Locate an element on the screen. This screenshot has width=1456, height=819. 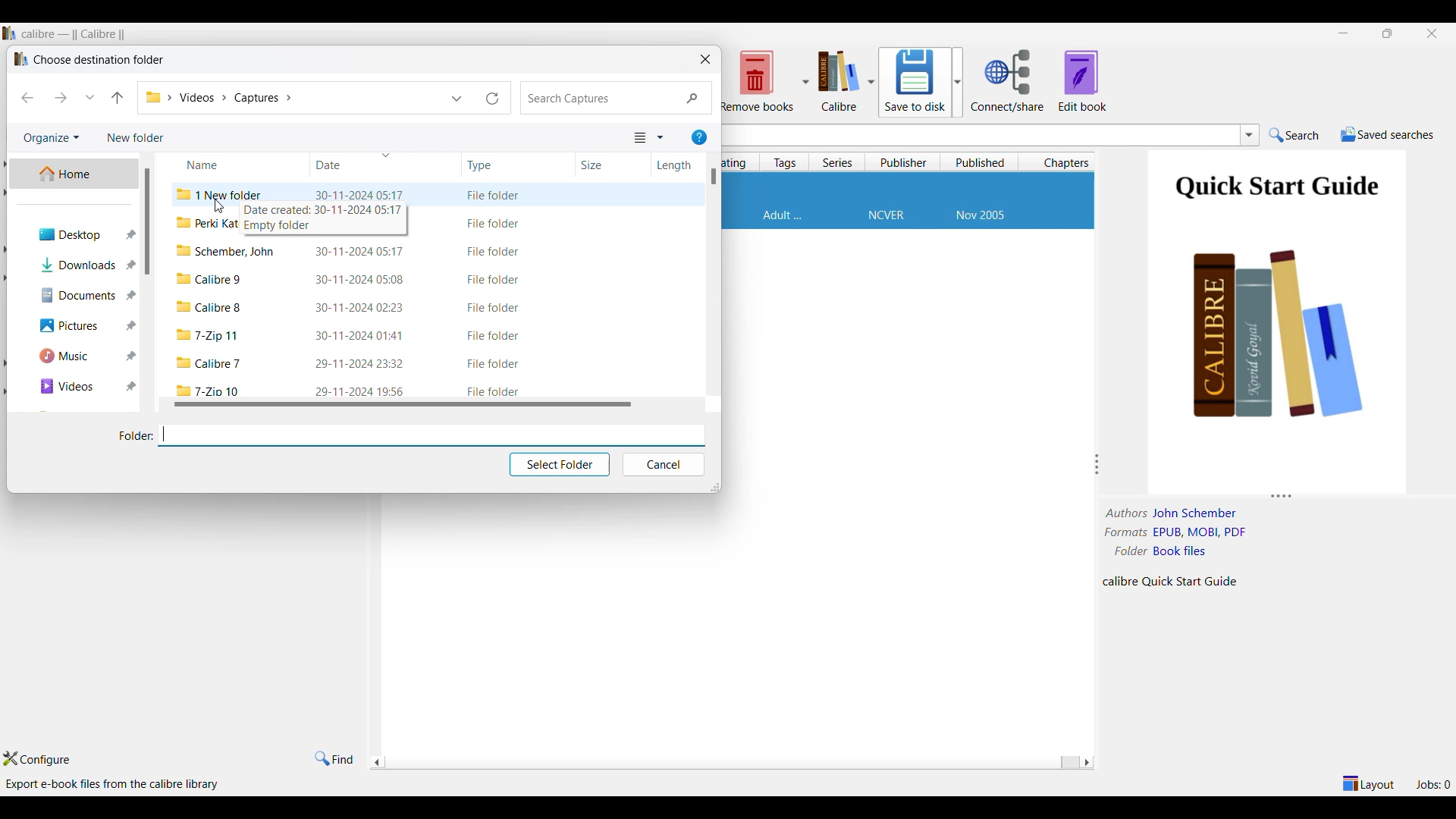
Reload folder is located at coordinates (493, 98).